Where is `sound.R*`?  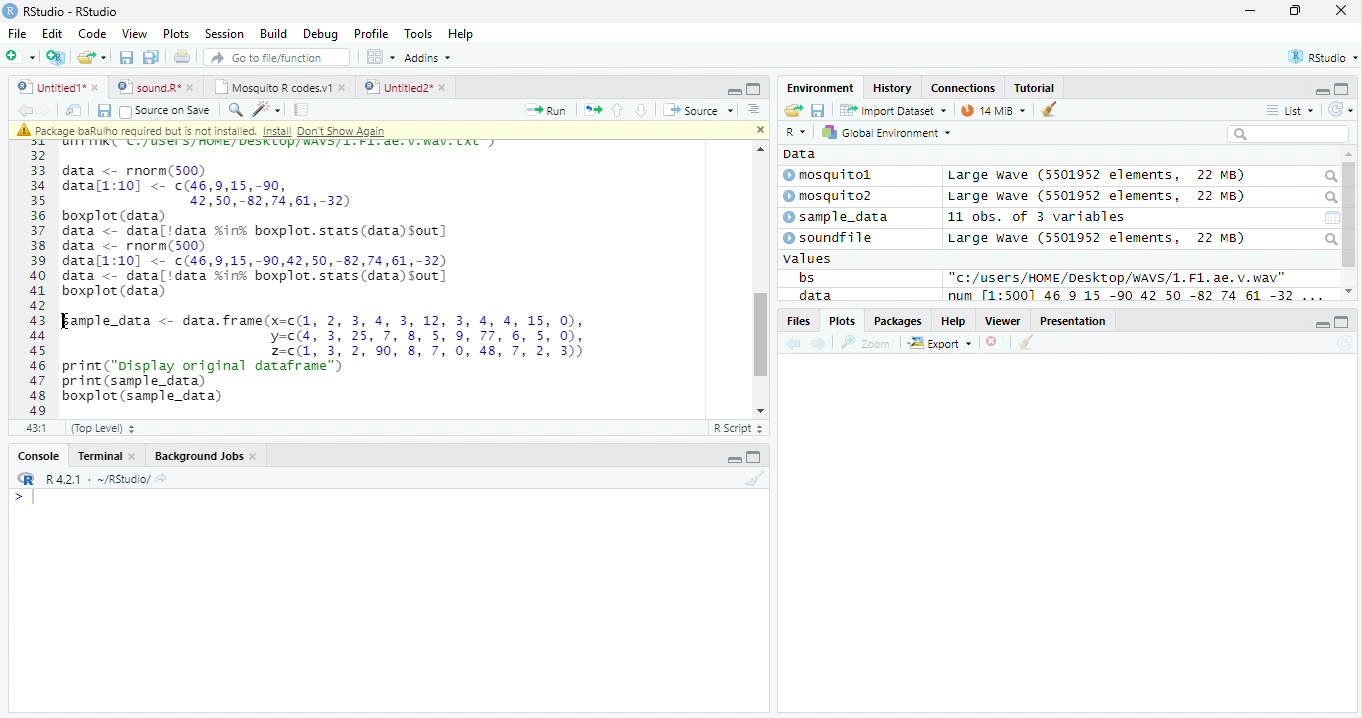
sound.R* is located at coordinates (153, 86).